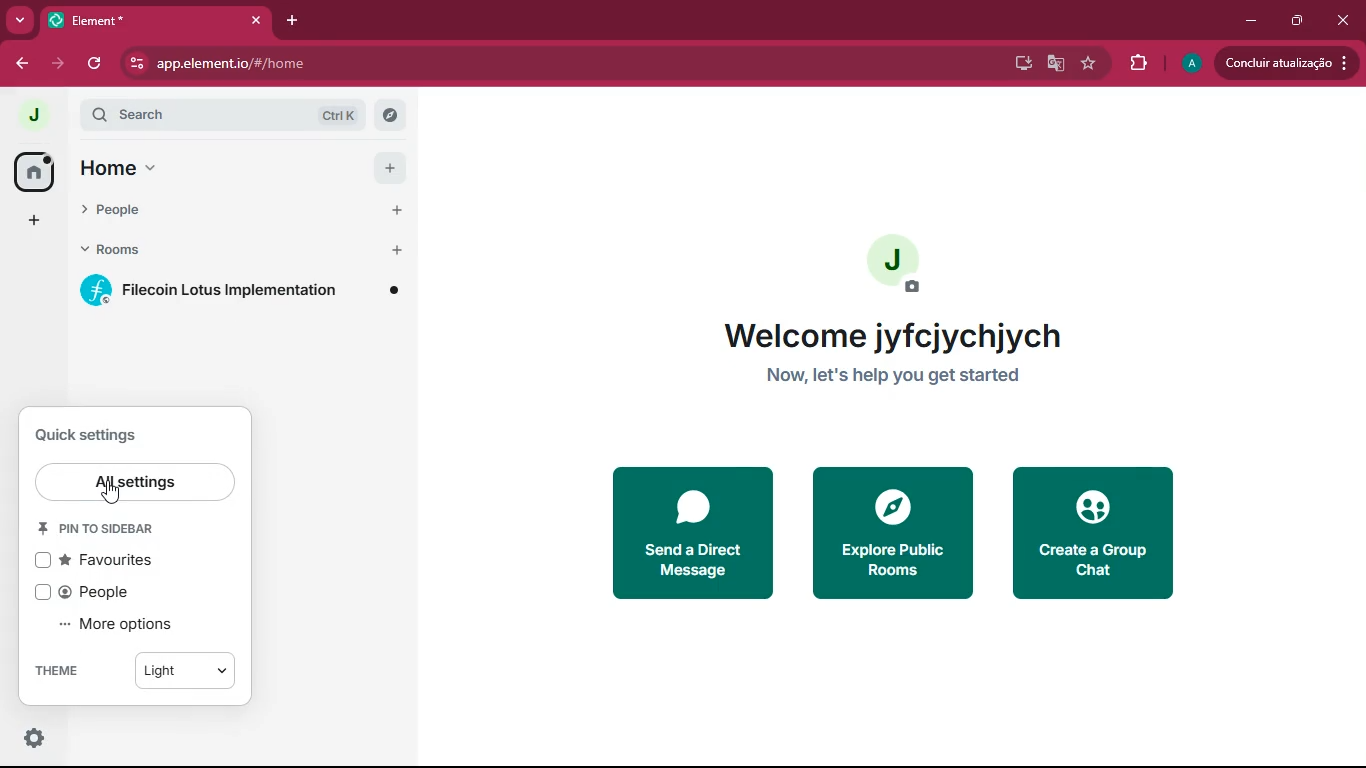 This screenshot has width=1366, height=768. What do you see at coordinates (389, 168) in the screenshot?
I see `add button` at bounding box center [389, 168].